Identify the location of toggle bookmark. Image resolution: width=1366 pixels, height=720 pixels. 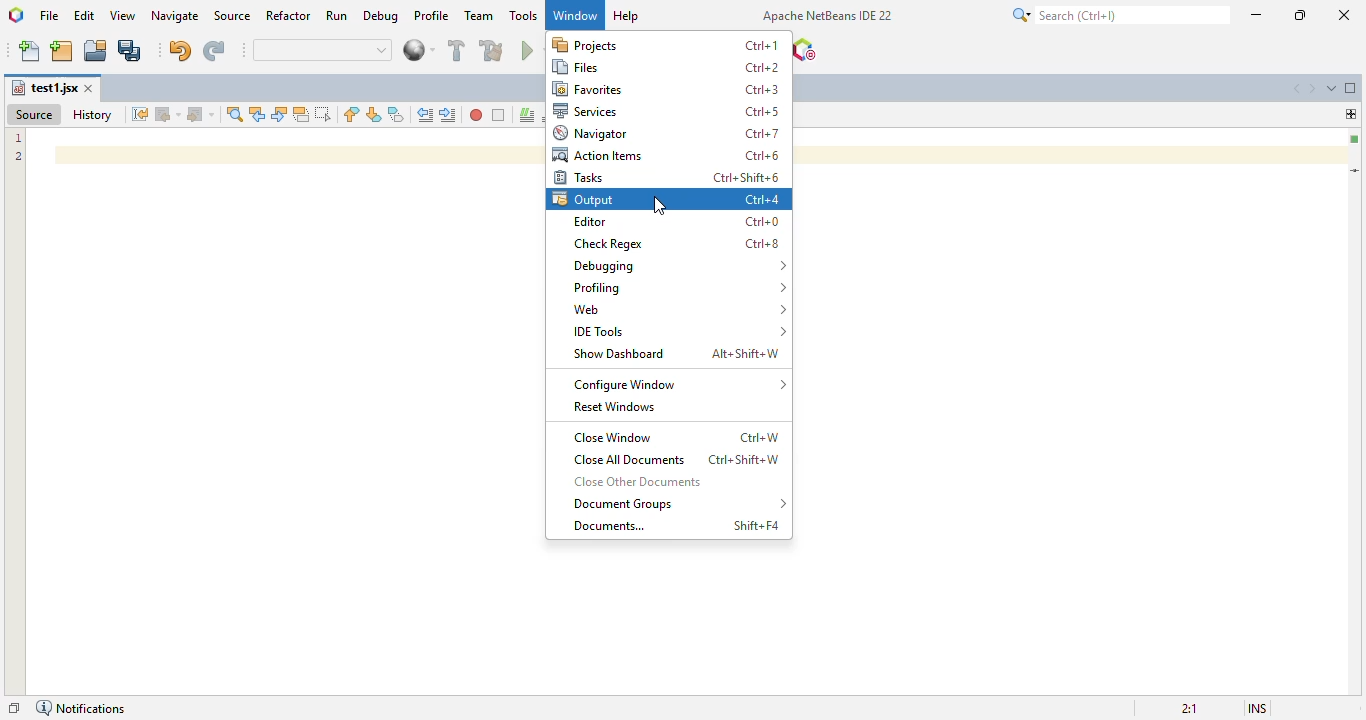
(396, 114).